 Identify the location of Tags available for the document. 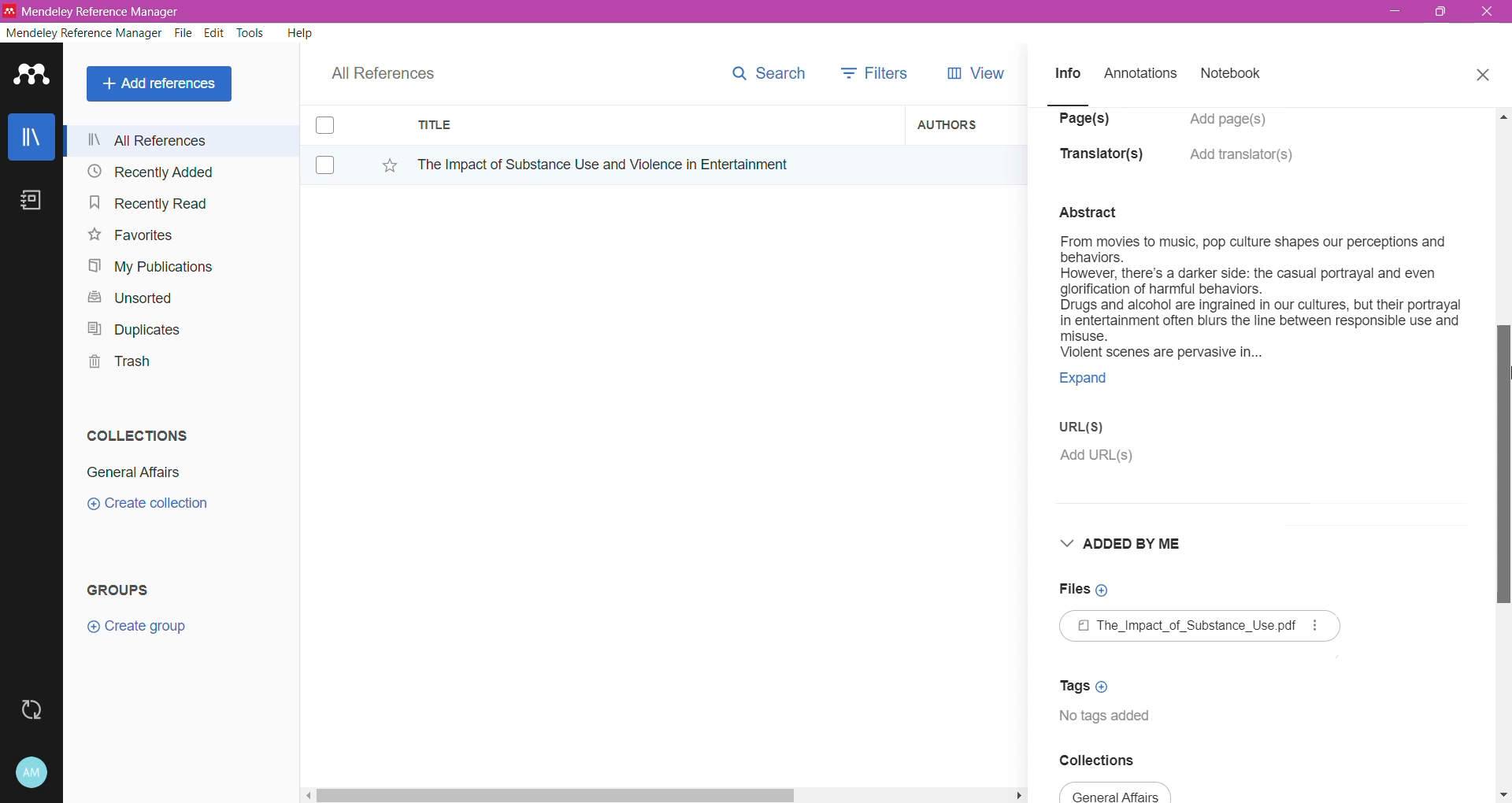
(1113, 717).